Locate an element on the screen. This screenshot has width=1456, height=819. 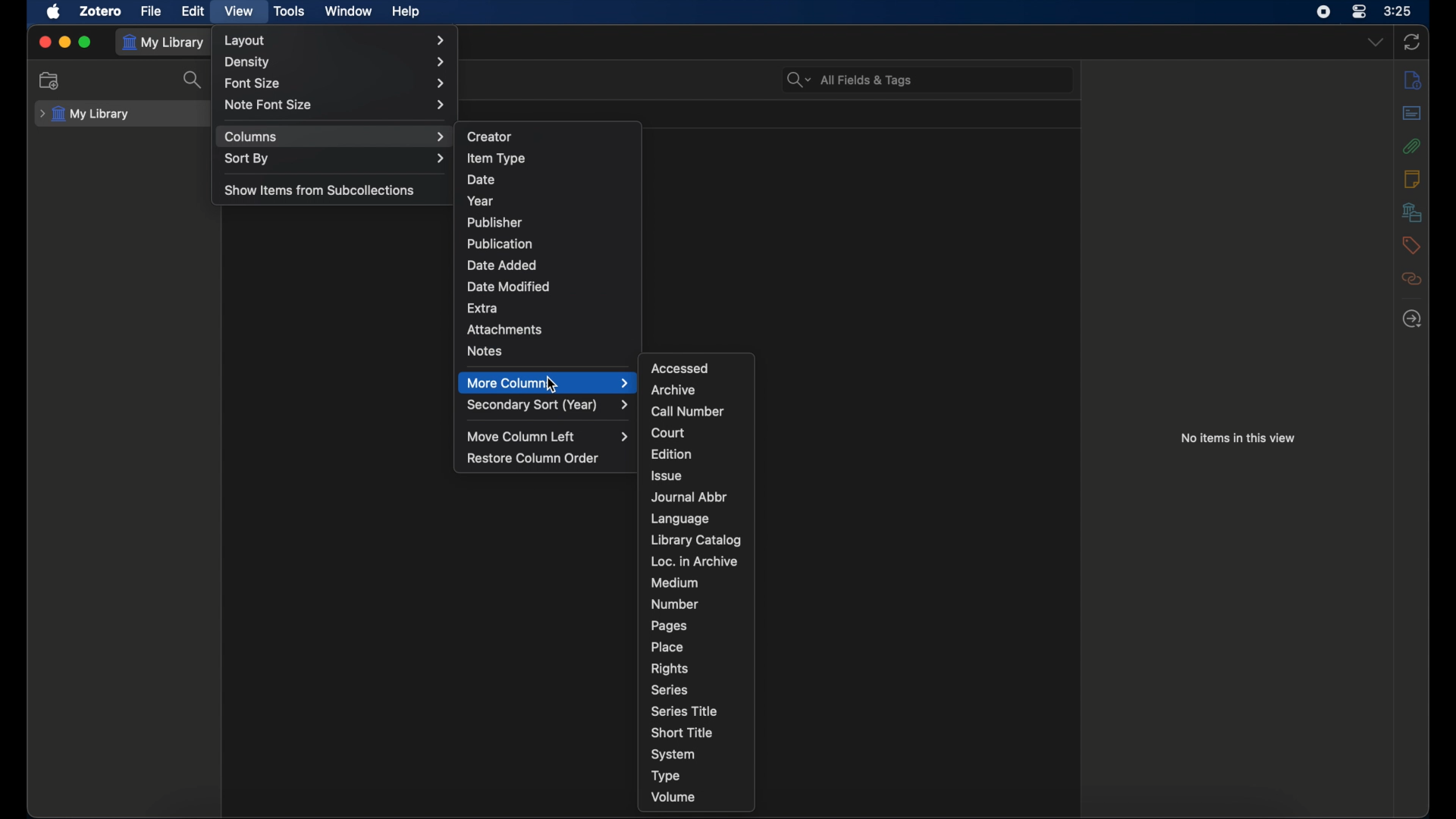
window is located at coordinates (347, 11).